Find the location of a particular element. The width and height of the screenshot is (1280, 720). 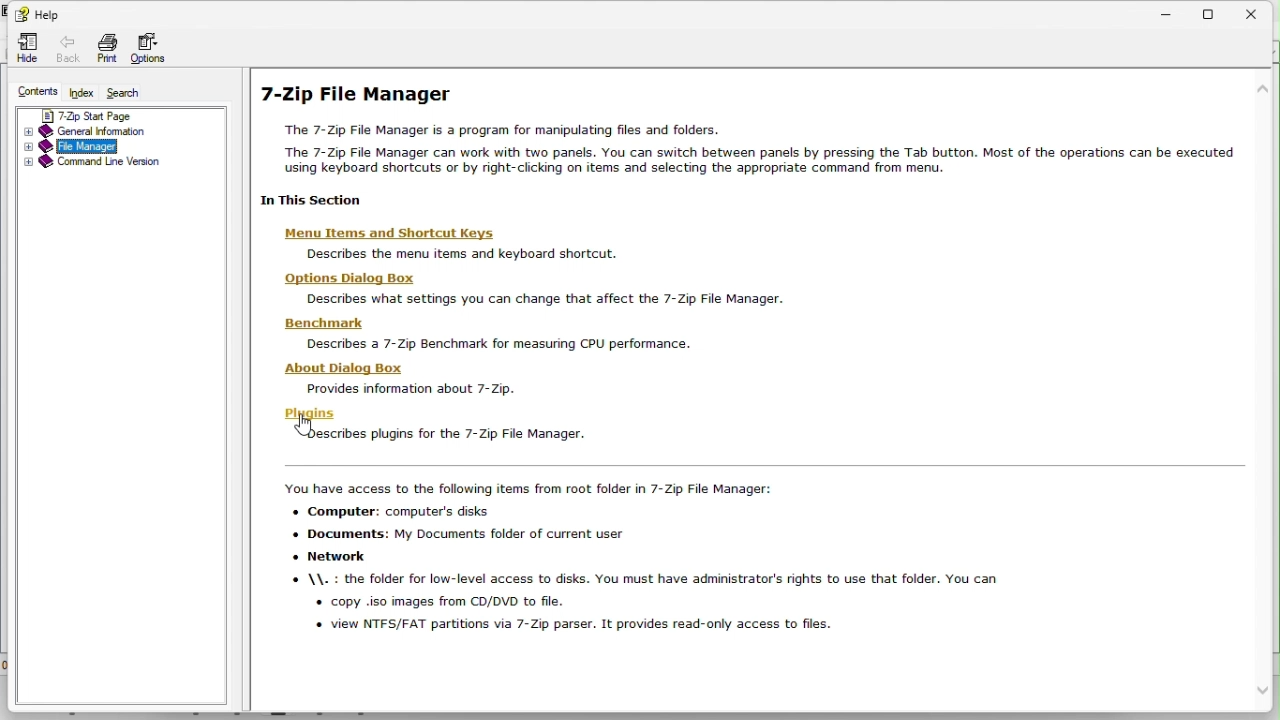

senchmark is located at coordinates (323, 324).